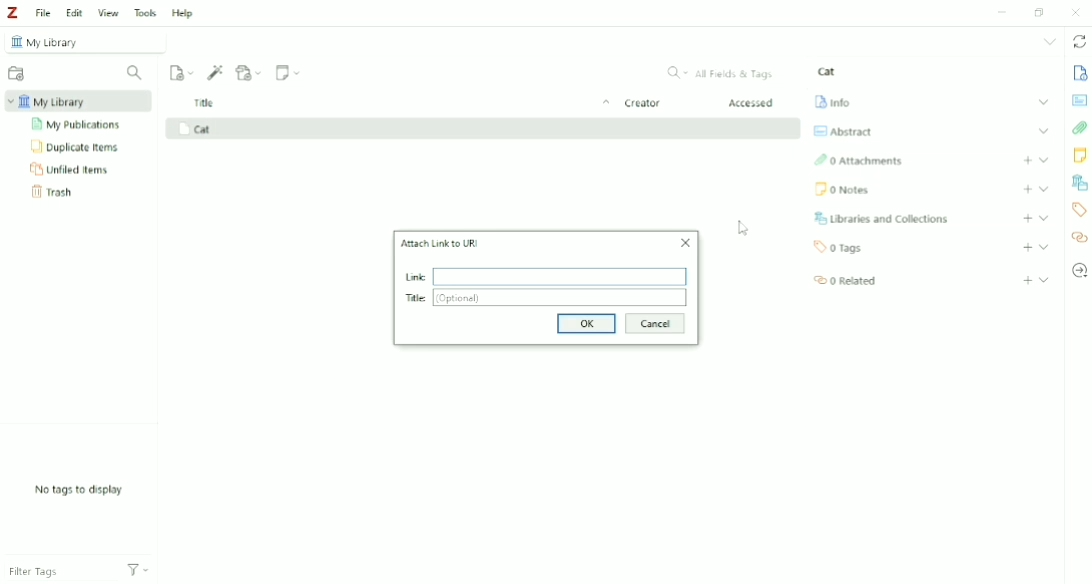  What do you see at coordinates (138, 568) in the screenshot?
I see `Actions` at bounding box center [138, 568].